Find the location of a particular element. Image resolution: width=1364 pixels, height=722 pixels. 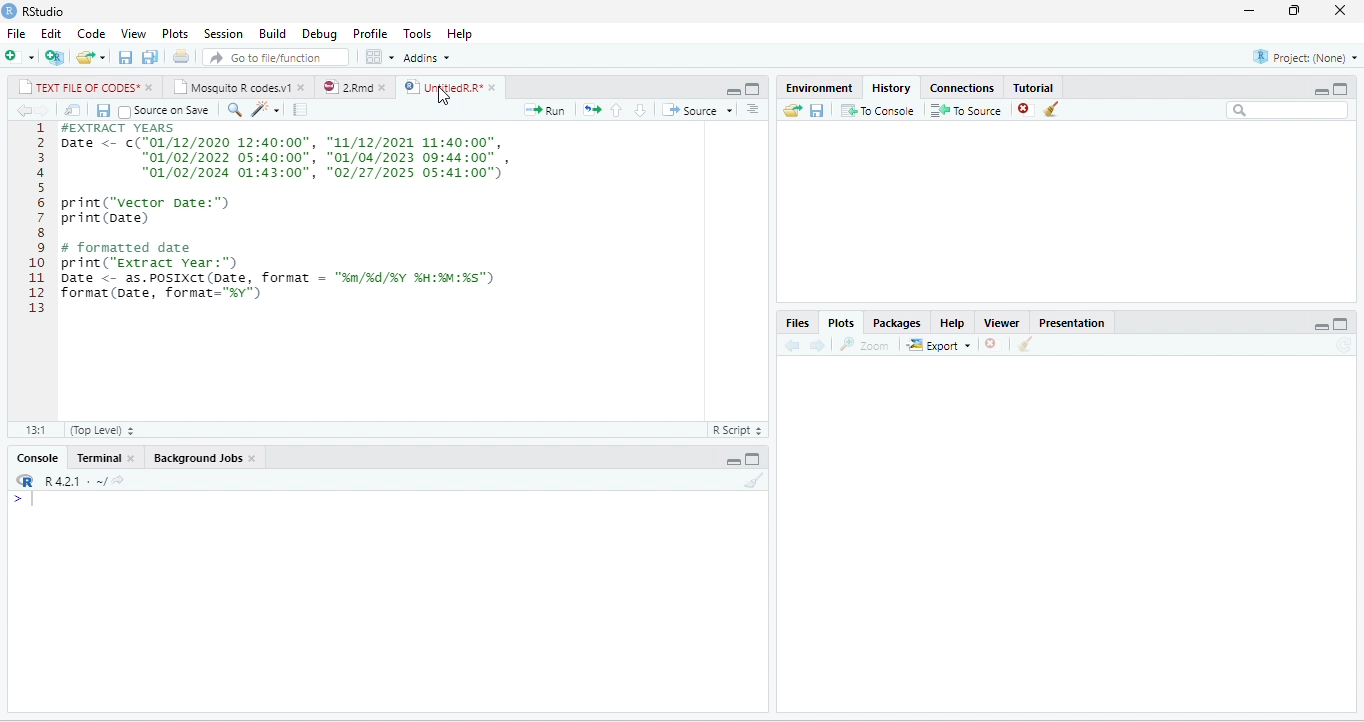

TEXT FILE OF CODES is located at coordinates (78, 87).